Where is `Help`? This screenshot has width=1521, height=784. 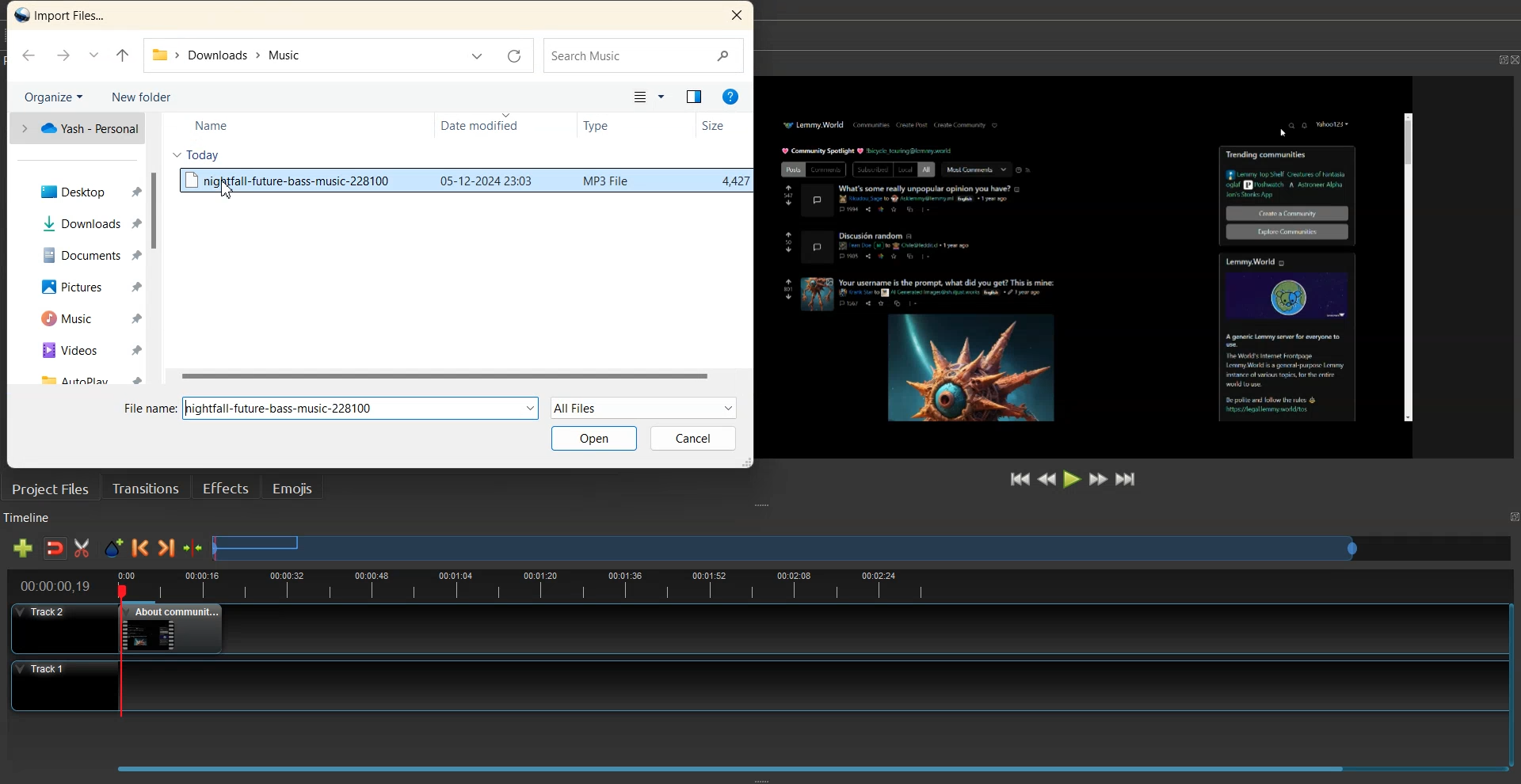
Help is located at coordinates (732, 97).